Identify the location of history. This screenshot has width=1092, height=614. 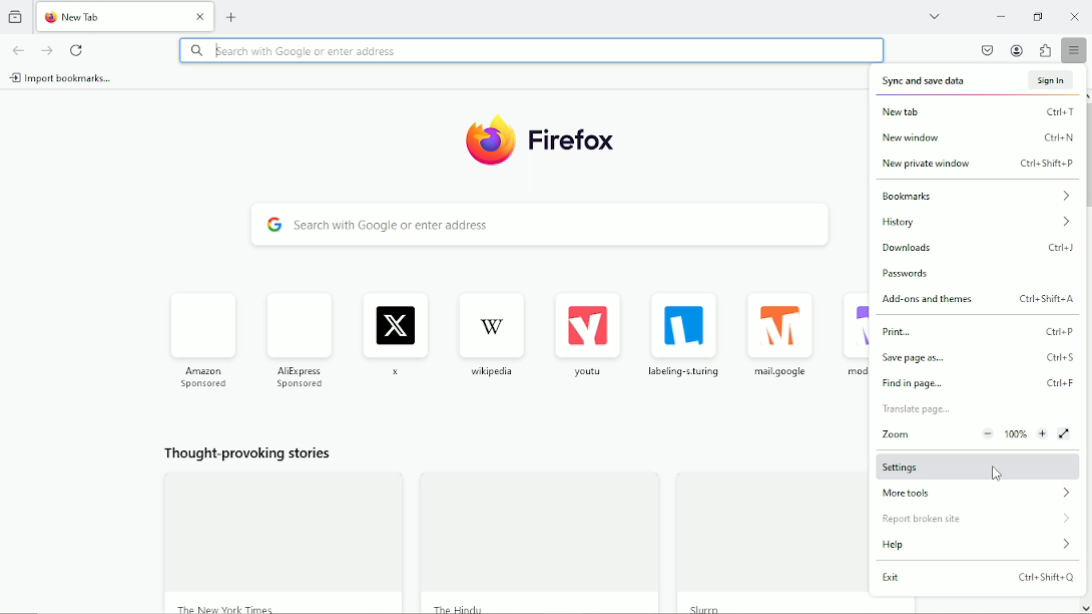
(982, 222).